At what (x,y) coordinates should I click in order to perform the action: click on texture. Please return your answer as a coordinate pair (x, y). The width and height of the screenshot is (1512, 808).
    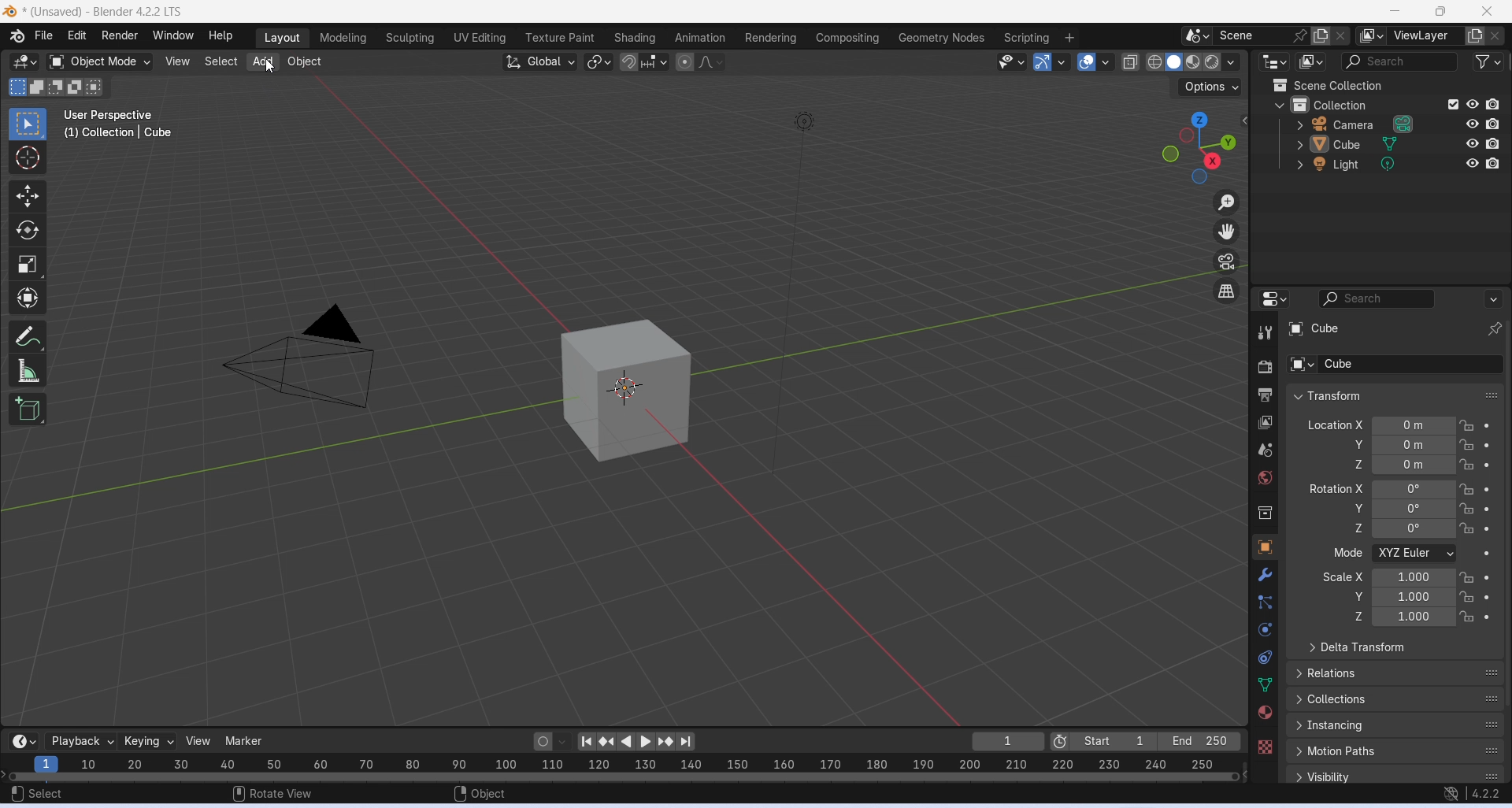
    Looking at the image, I should click on (1265, 746).